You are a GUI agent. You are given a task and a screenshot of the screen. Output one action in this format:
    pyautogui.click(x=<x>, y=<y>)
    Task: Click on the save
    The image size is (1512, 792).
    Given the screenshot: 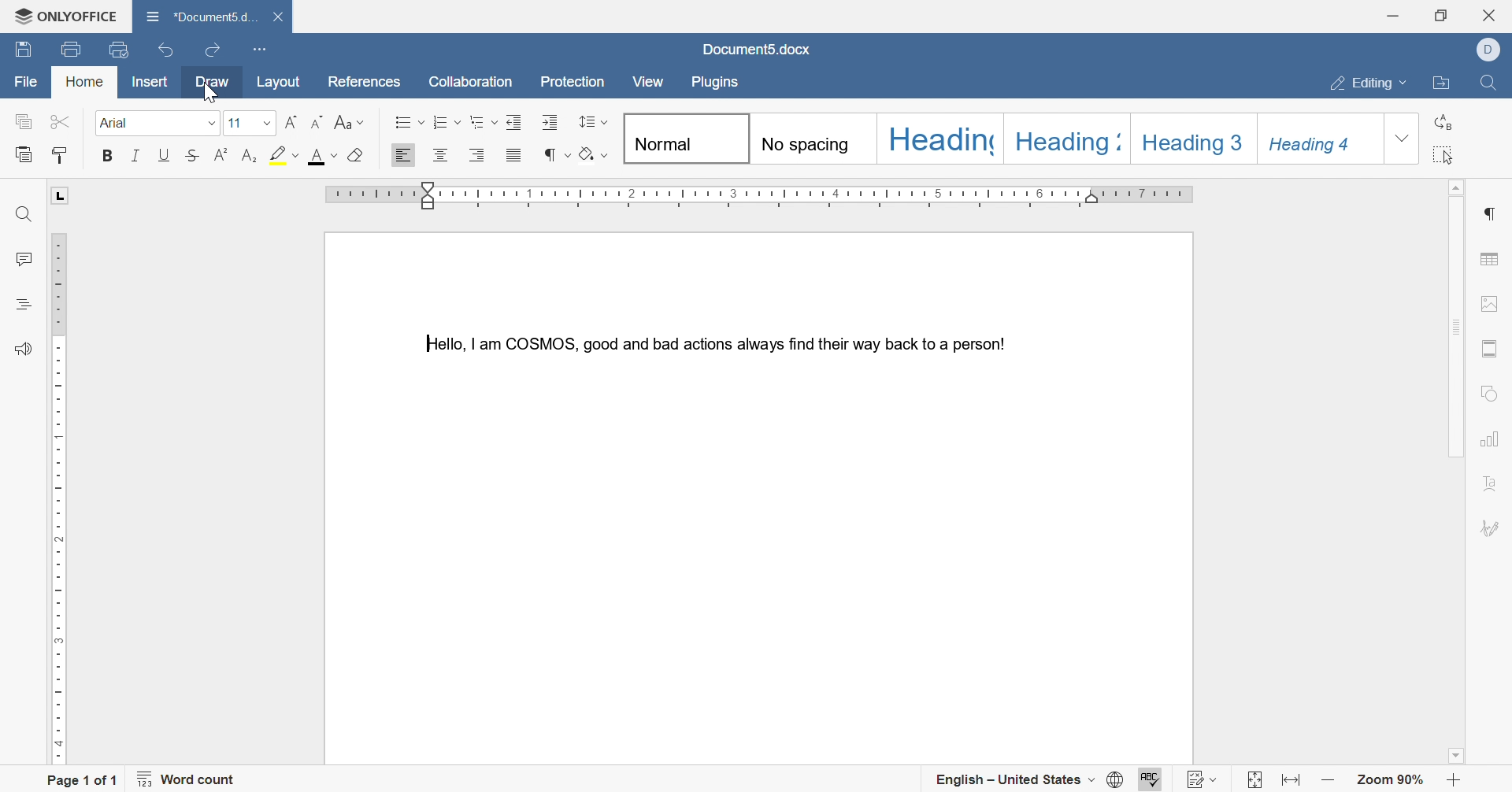 What is the action you would take?
    pyautogui.click(x=24, y=51)
    